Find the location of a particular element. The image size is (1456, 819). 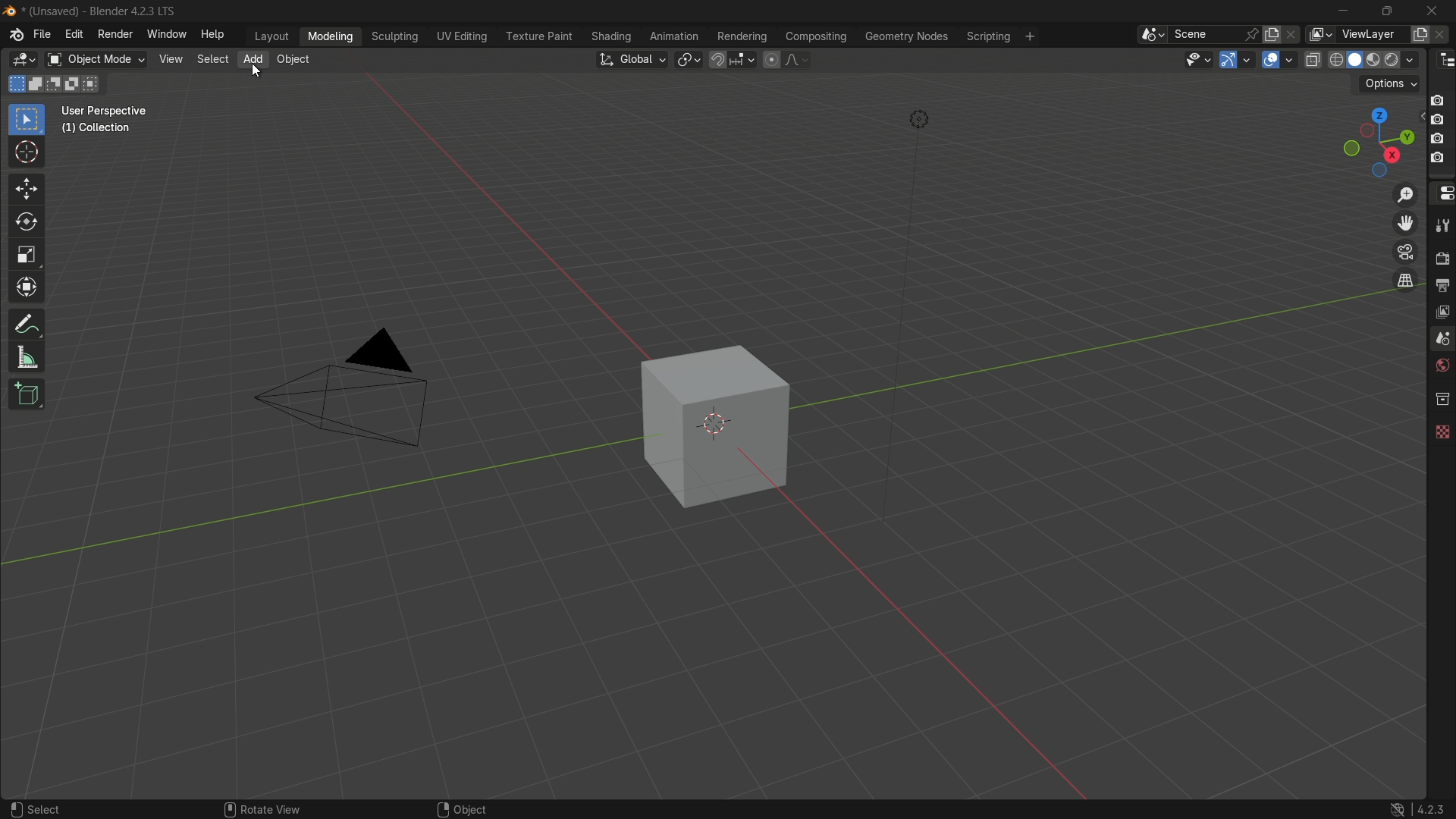

selectability and visibility is located at coordinates (1199, 61).